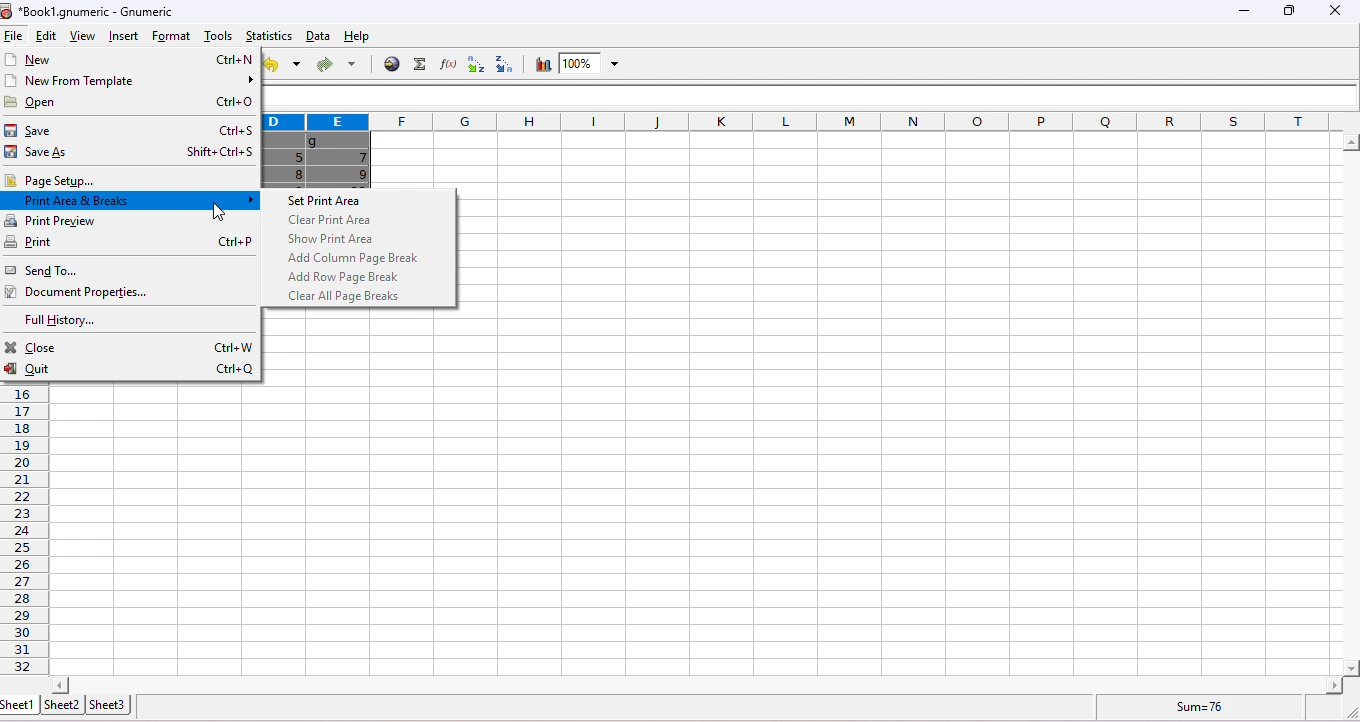  What do you see at coordinates (318, 36) in the screenshot?
I see `data` at bounding box center [318, 36].